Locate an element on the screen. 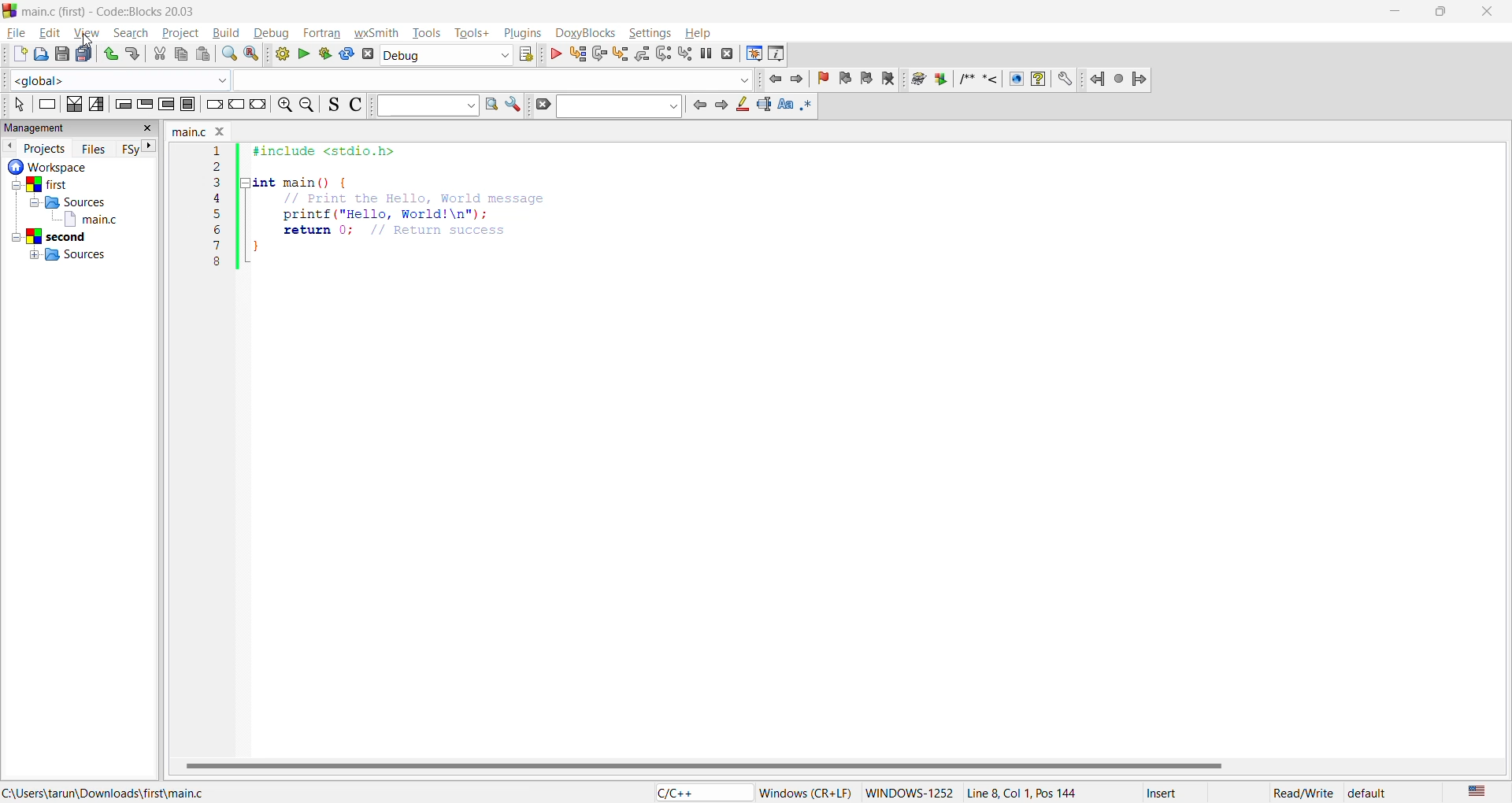 This screenshot has height=803, width=1512. stop debugger is located at coordinates (730, 55).